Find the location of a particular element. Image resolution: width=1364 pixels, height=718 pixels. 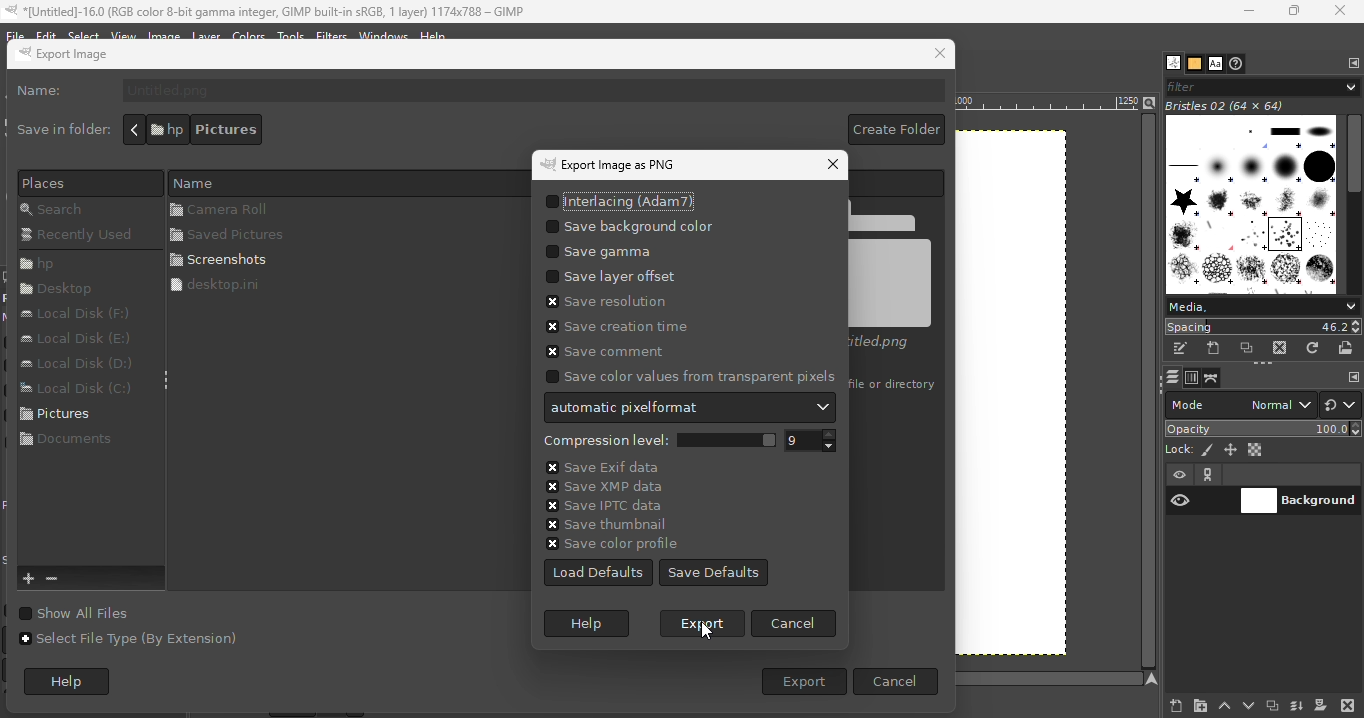

cratee a new layer group is located at coordinates (1199, 705).